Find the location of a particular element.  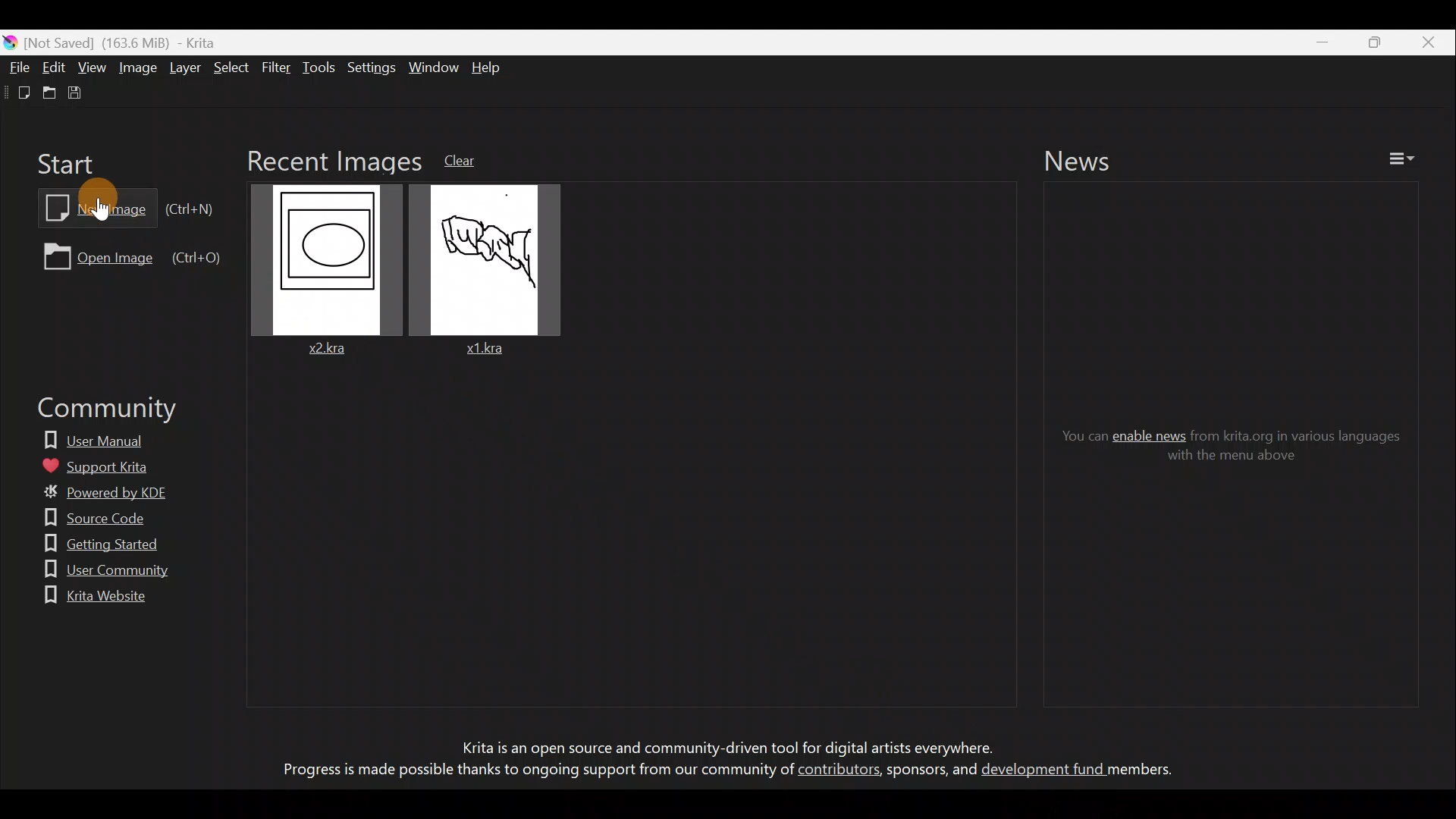

Minimize is located at coordinates (1314, 42).